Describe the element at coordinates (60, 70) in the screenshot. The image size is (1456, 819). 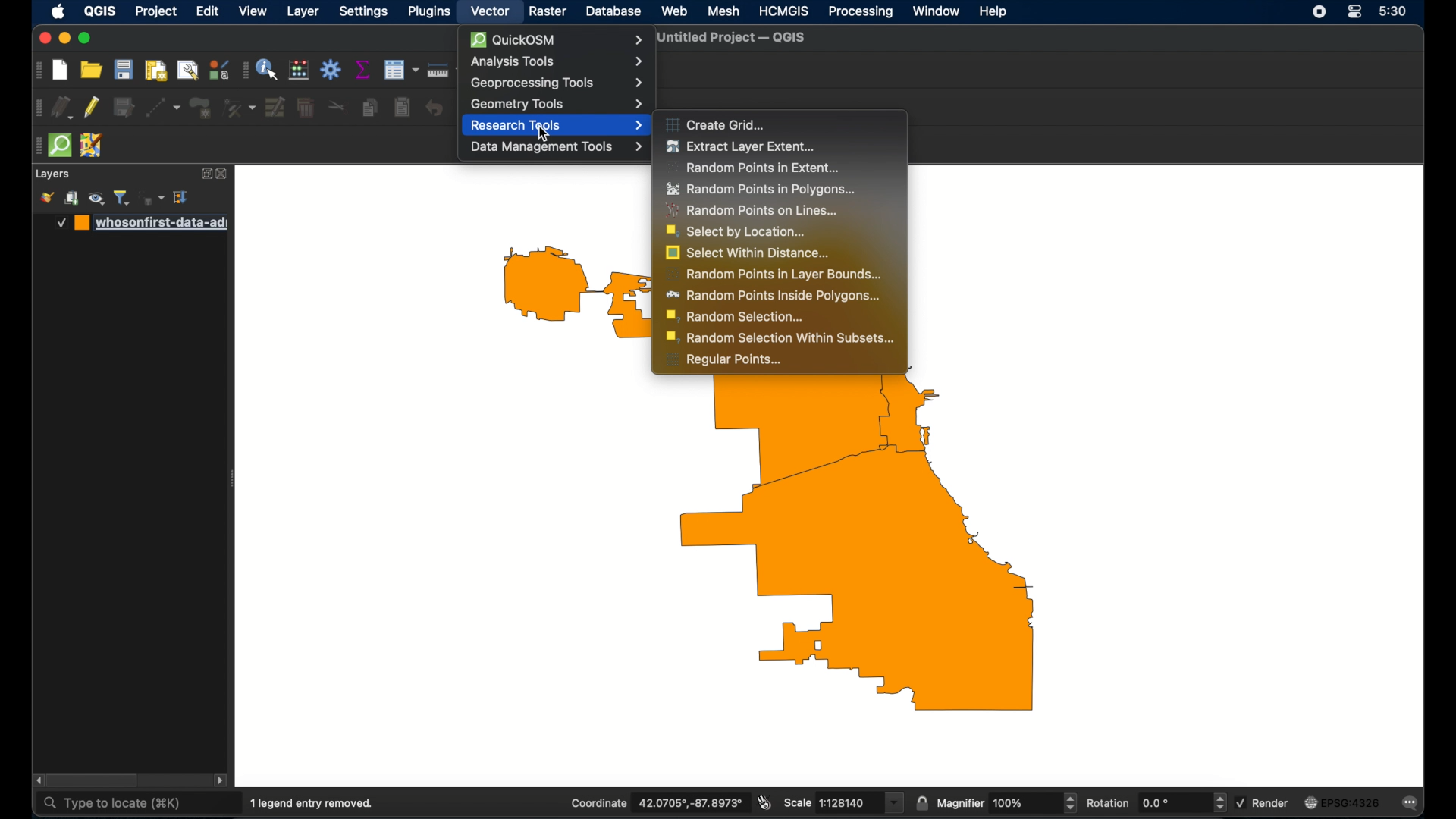
I see `new project` at that location.